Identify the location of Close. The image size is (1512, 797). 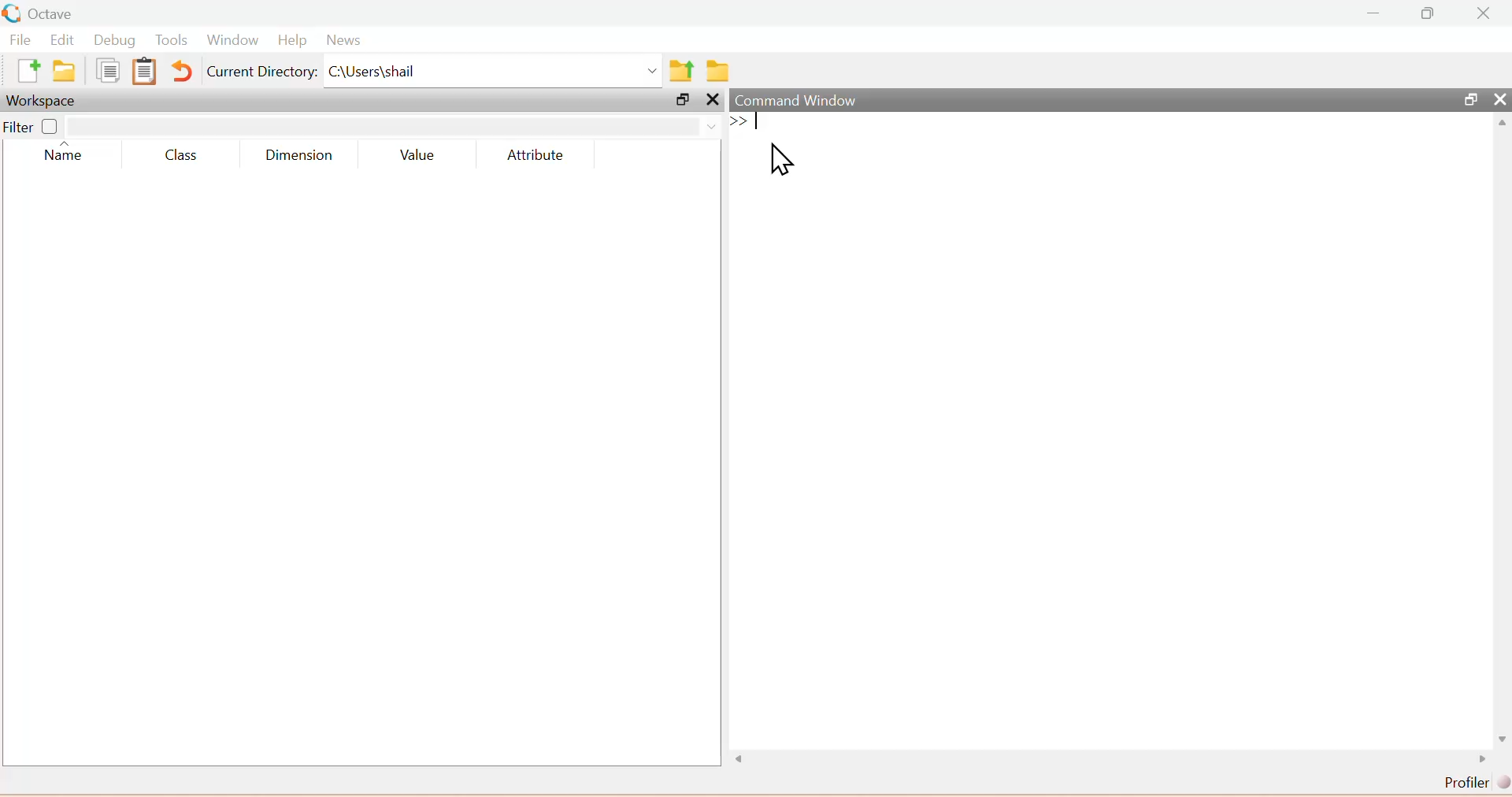
(1496, 100).